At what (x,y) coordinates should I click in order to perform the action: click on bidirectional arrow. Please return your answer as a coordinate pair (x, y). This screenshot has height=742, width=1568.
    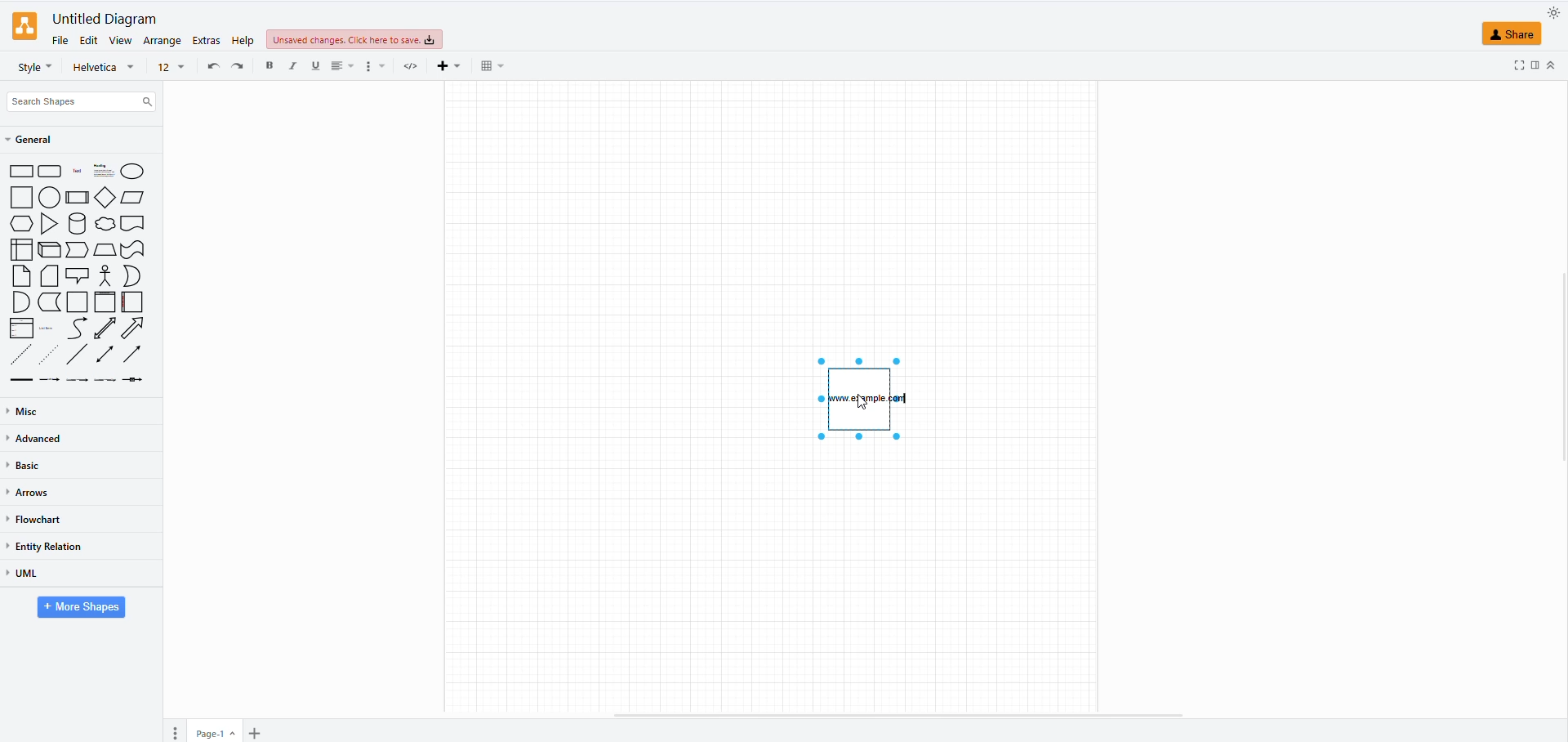
    Looking at the image, I should click on (105, 329).